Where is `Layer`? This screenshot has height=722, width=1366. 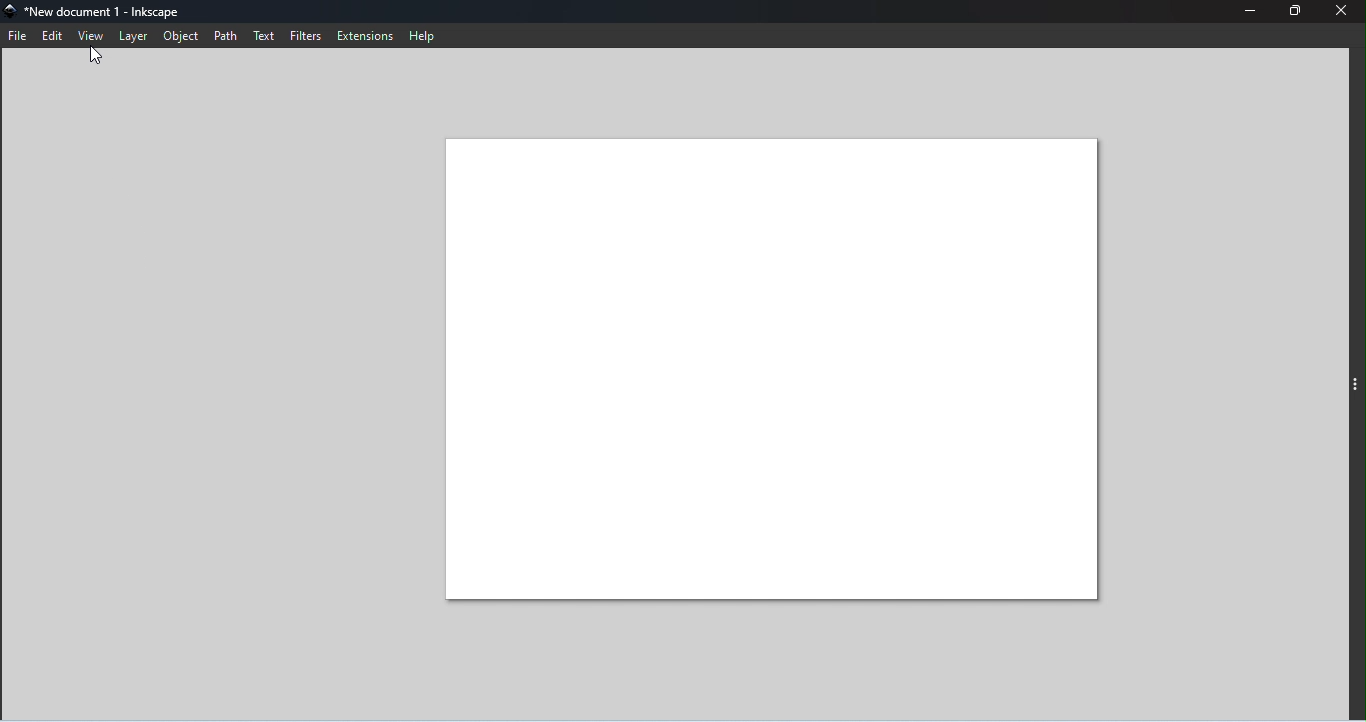 Layer is located at coordinates (136, 37).